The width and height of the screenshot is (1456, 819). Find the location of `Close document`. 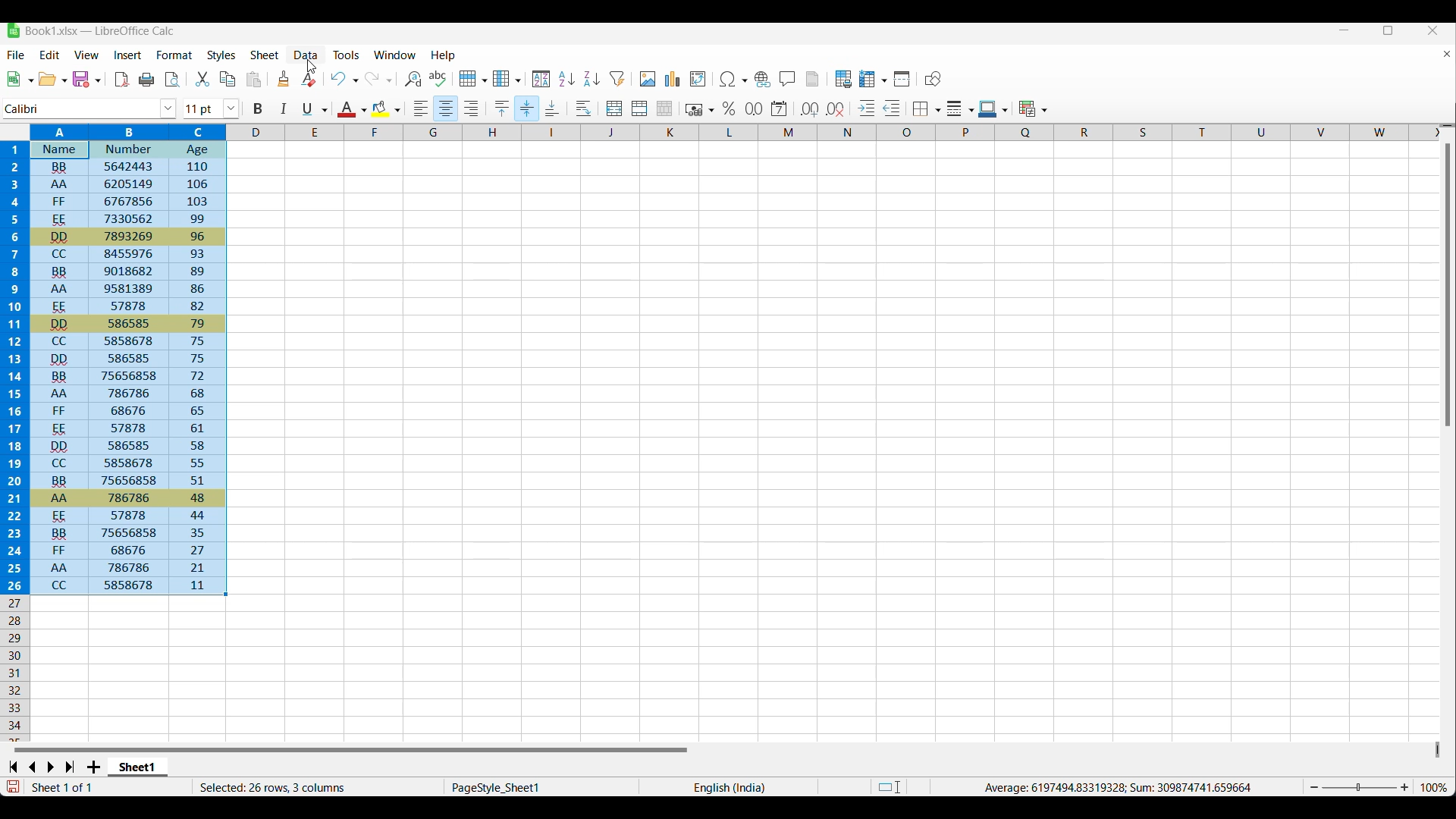

Close document is located at coordinates (1447, 54).